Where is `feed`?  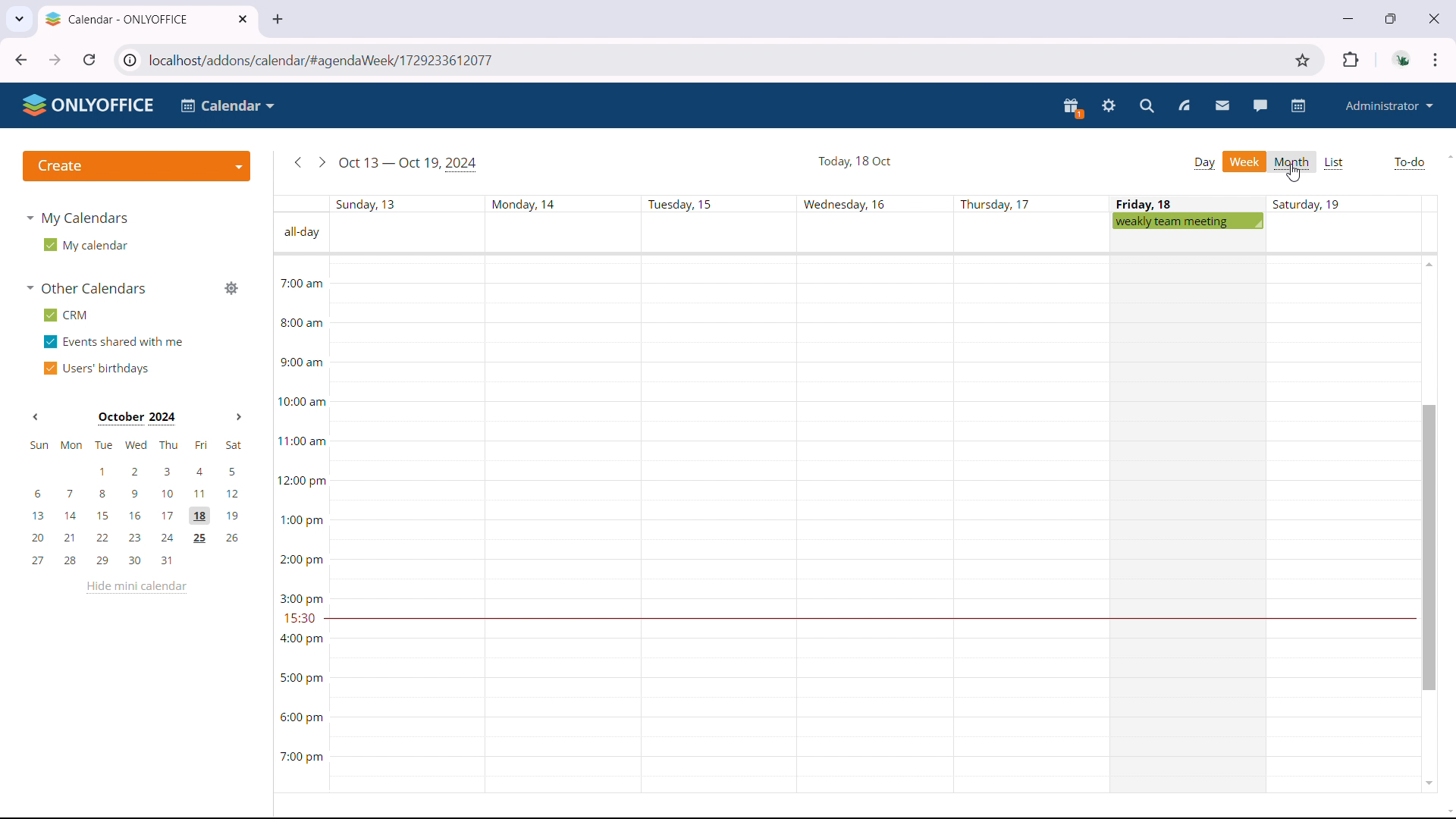 feed is located at coordinates (1185, 108).